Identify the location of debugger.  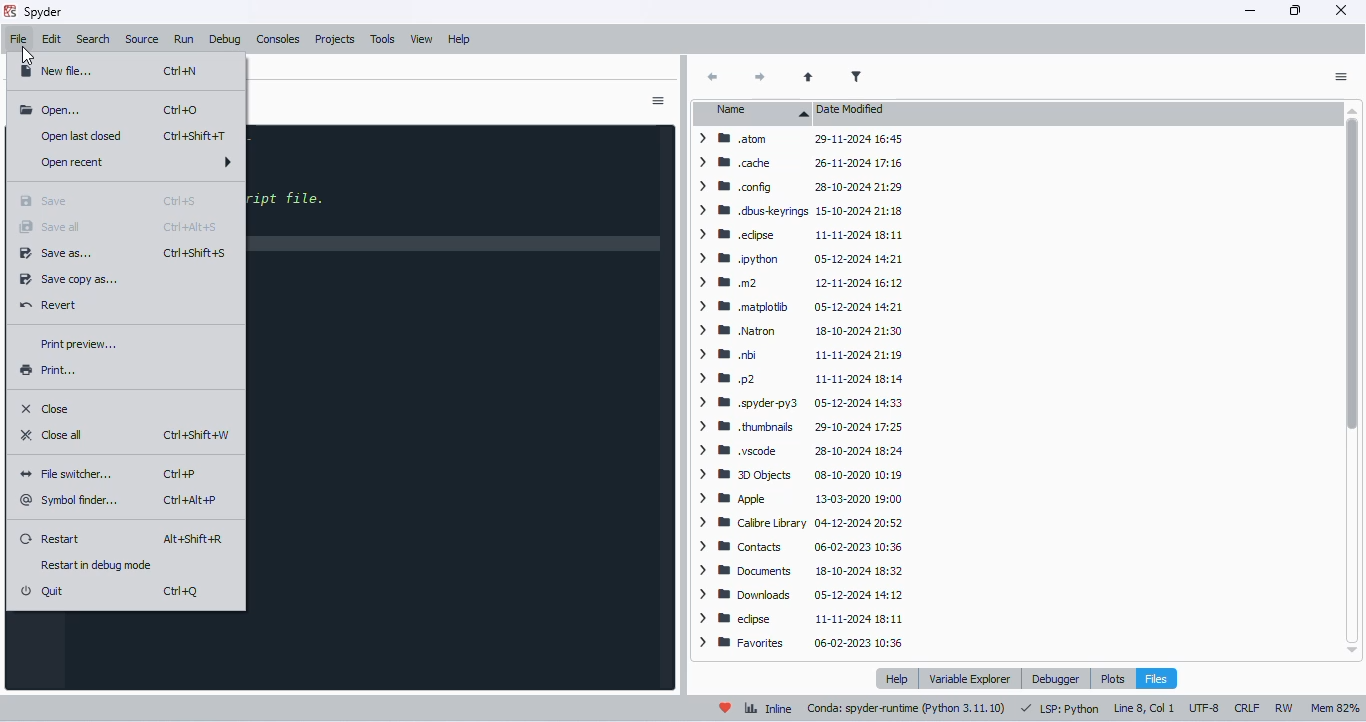
(1056, 678).